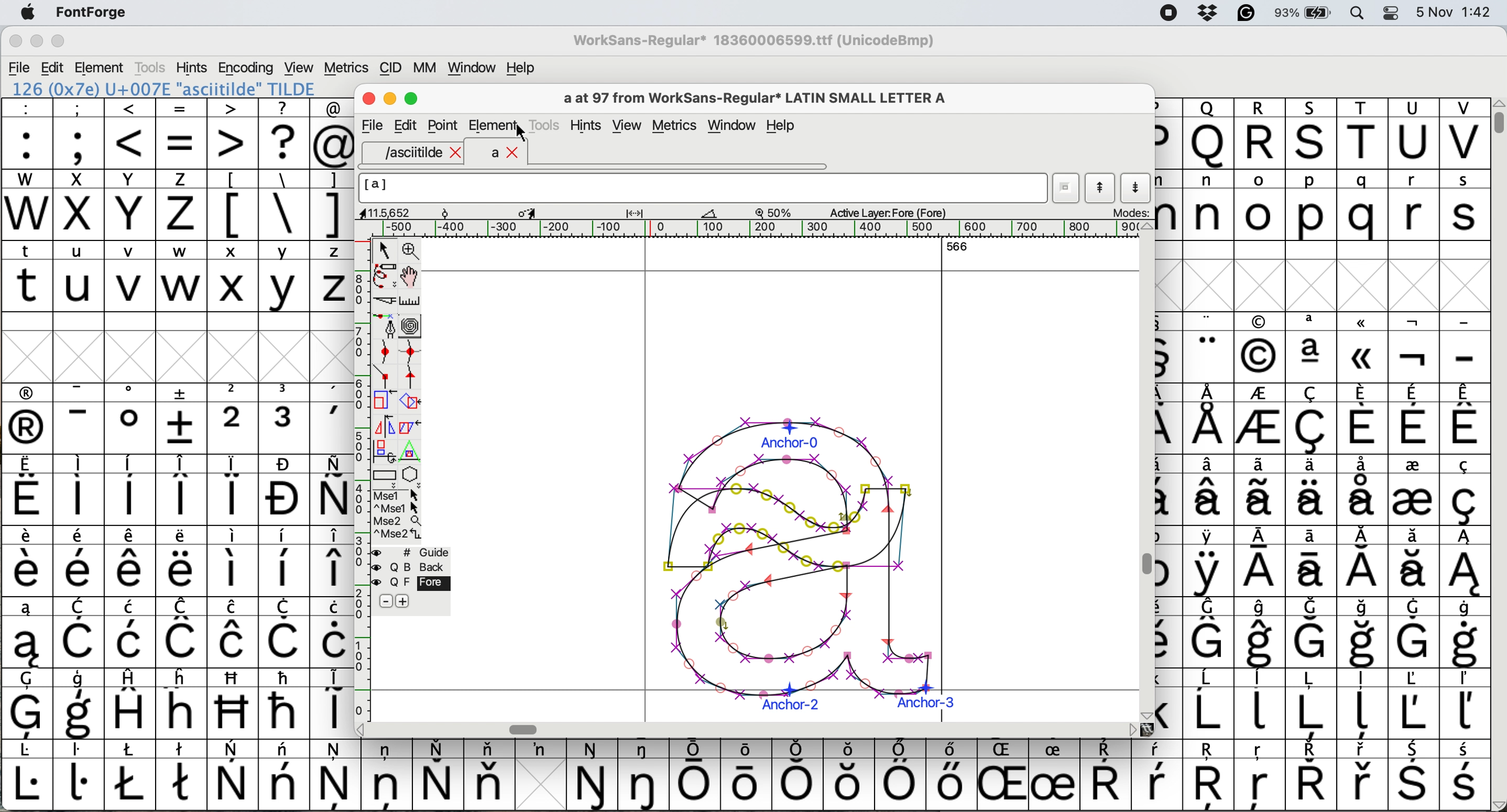  What do you see at coordinates (79, 132) in the screenshot?
I see `;` at bounding box center [79, 132].